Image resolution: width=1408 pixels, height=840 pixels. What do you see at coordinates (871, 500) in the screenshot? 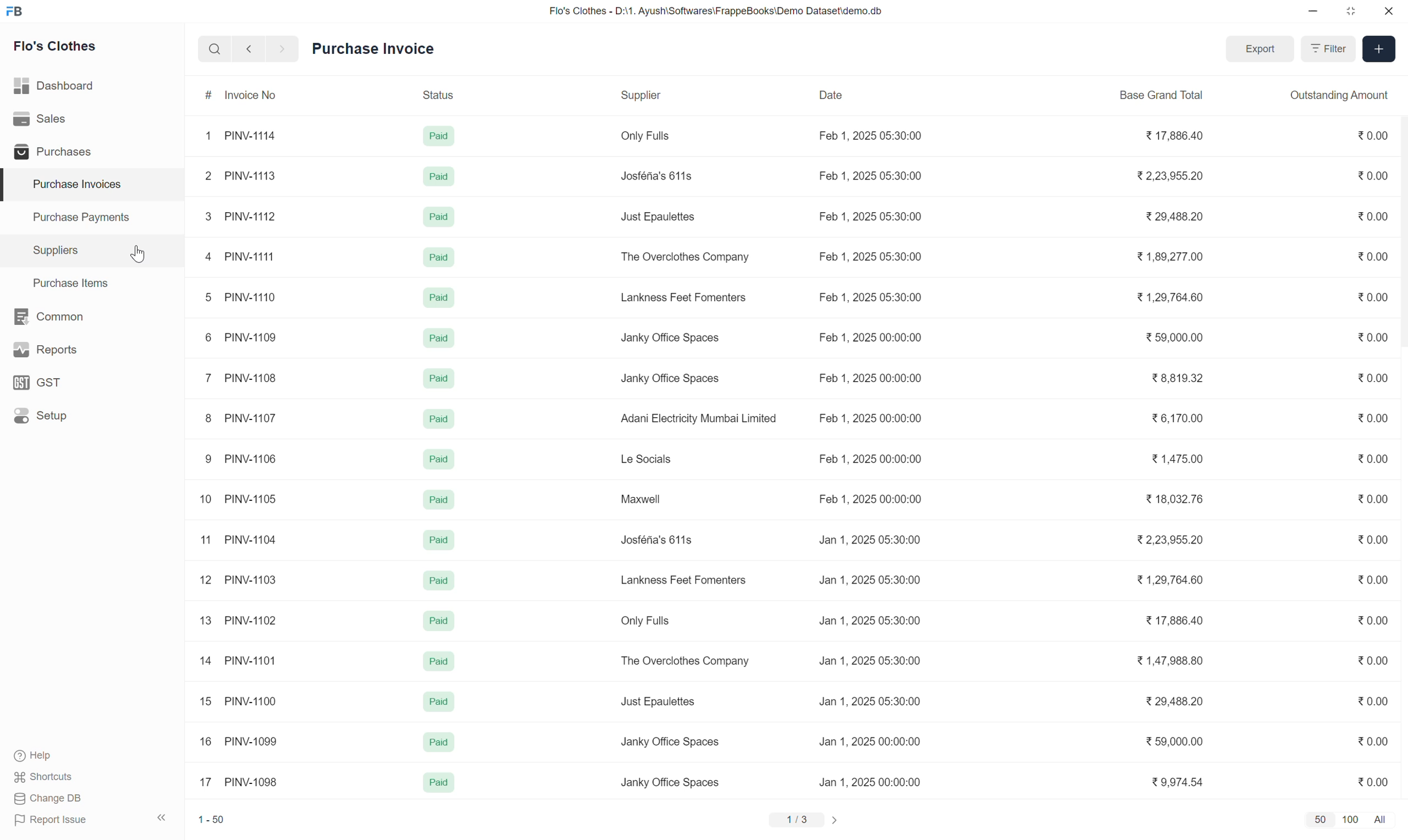
I see `Feb 1, 2025 00:00:00` at bounding box center [871, 500].